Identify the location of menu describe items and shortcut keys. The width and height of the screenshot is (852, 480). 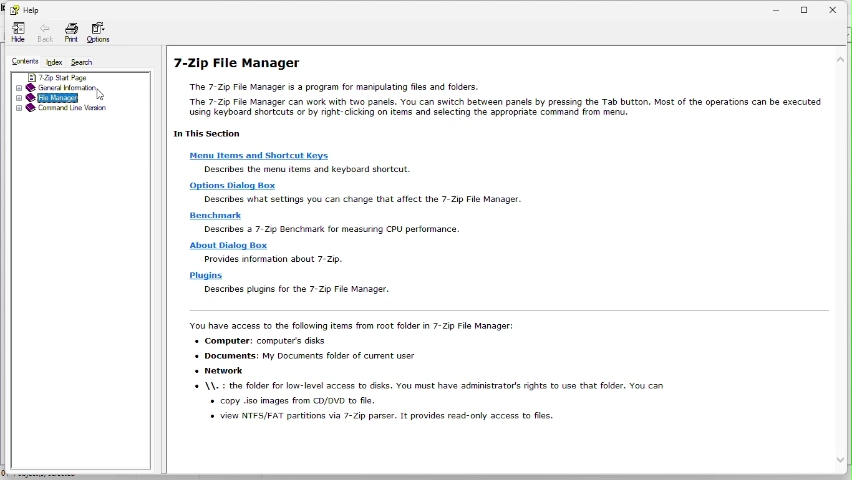
(264, 157).